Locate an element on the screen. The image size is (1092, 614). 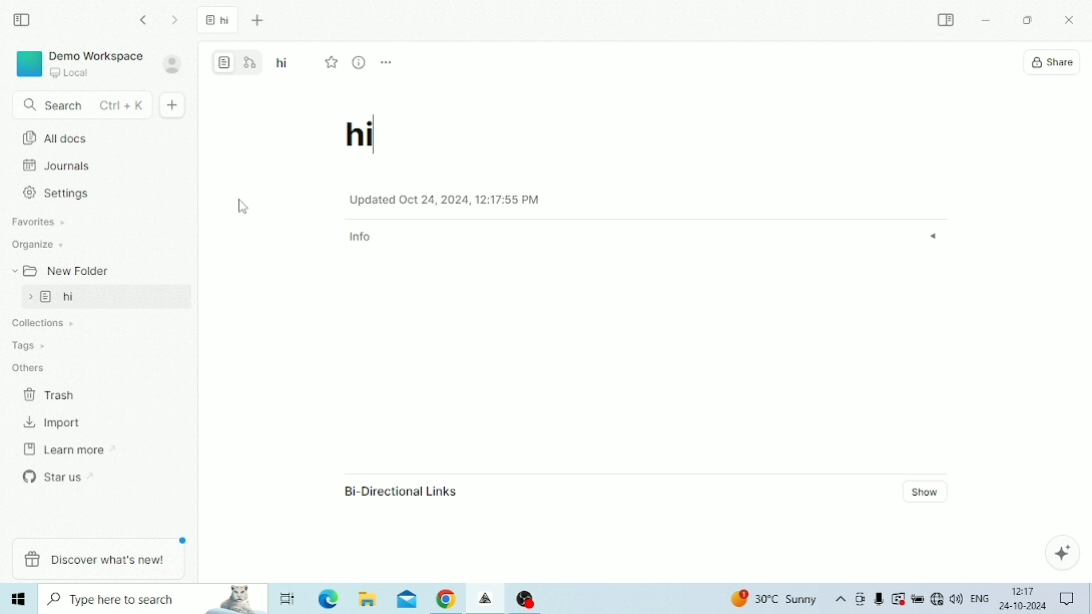
Star us is located at coordinates (61, 475).